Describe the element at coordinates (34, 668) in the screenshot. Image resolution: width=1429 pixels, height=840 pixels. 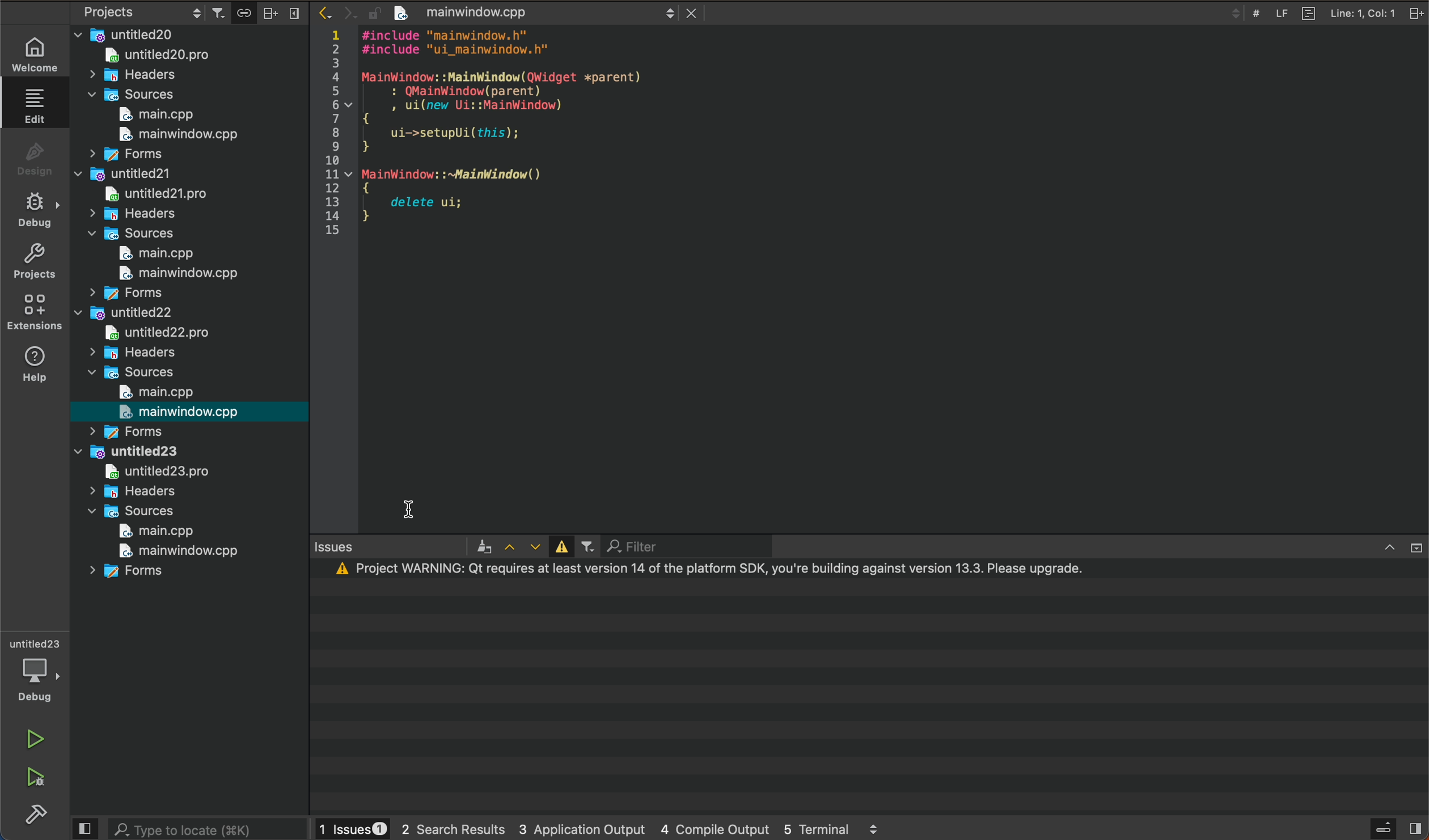
I see `debug` at that location.